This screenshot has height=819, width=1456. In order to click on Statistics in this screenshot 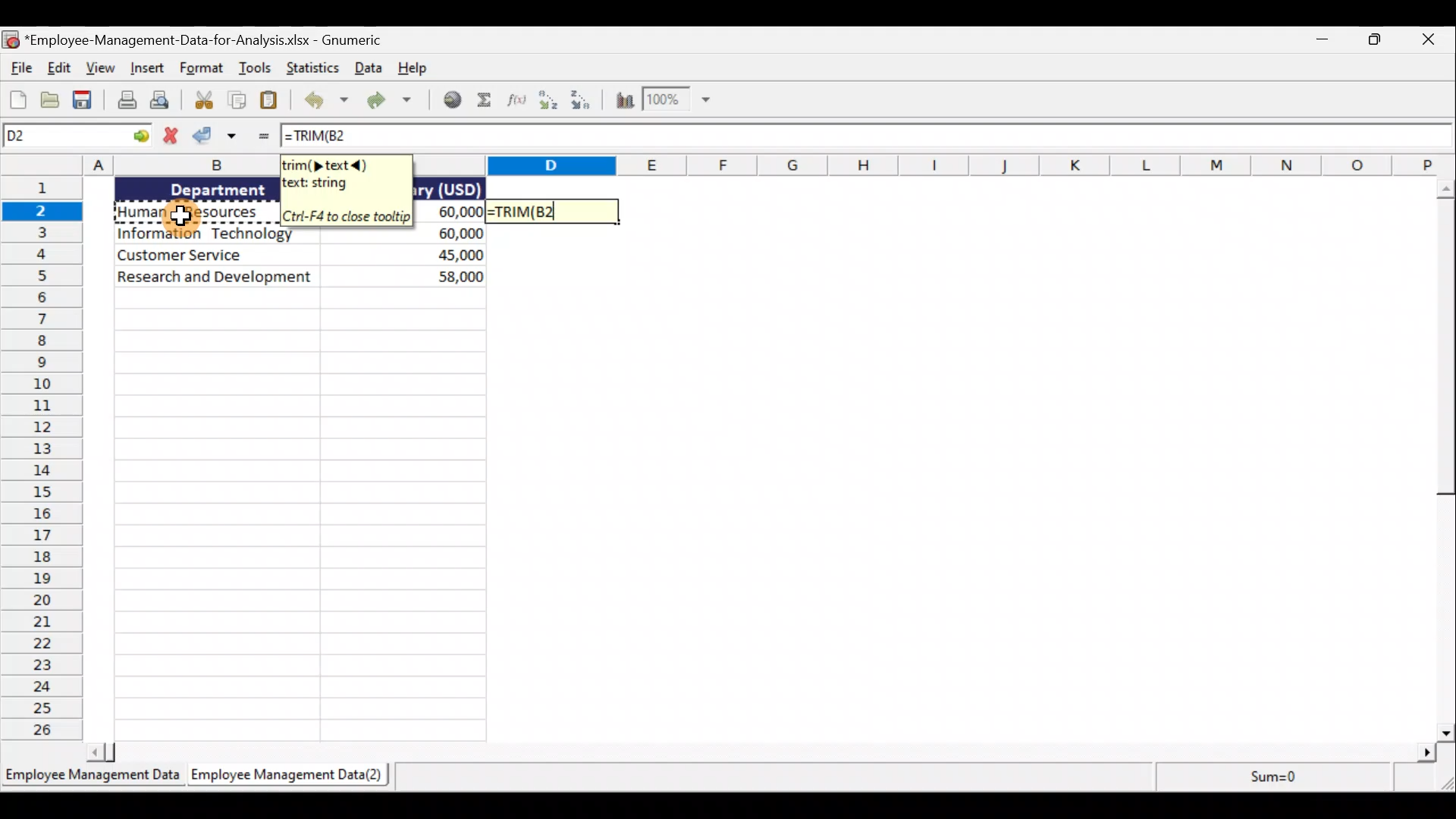, I will do `click(313, 68)`.